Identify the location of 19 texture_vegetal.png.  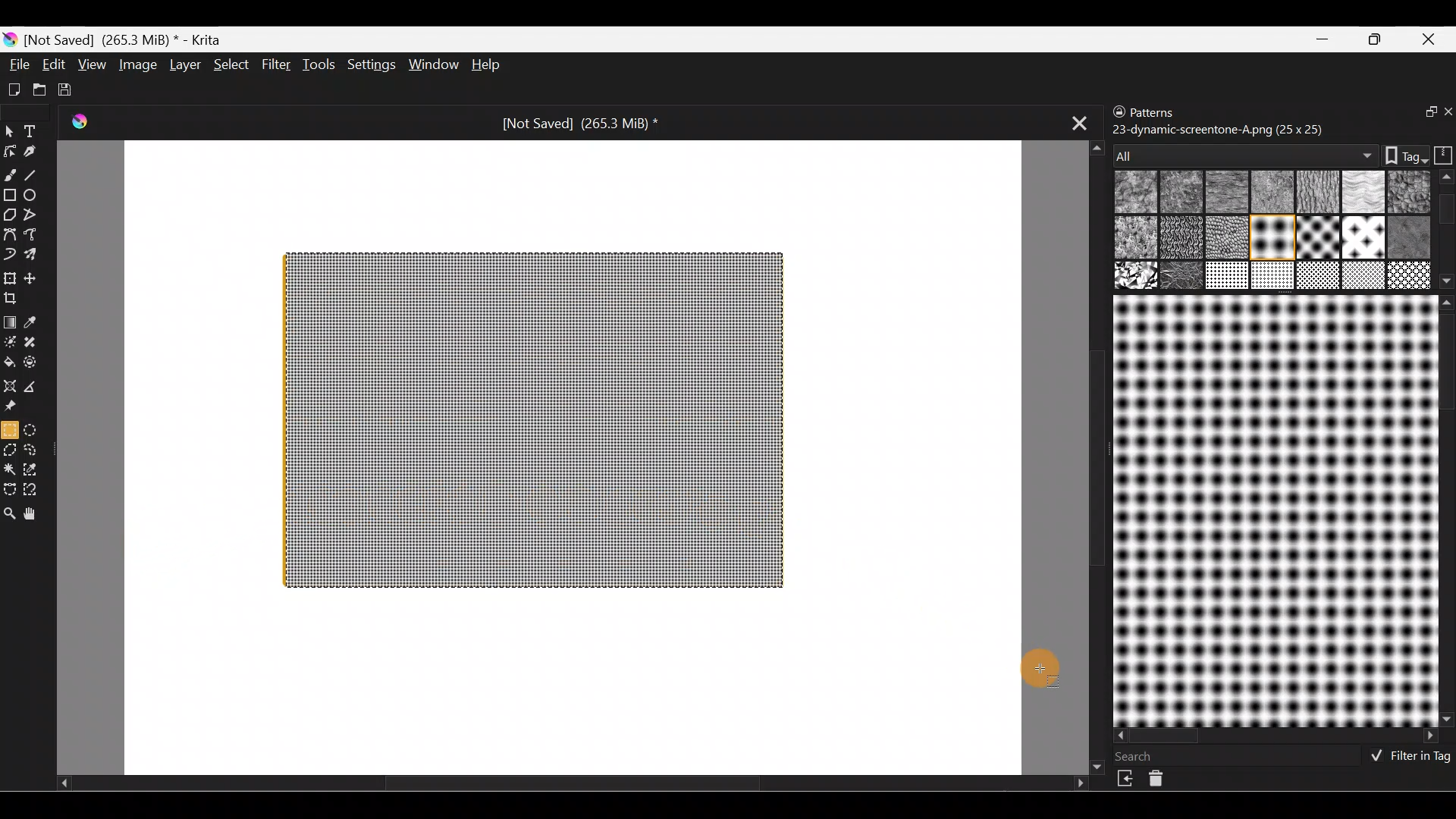
(1410, 278).